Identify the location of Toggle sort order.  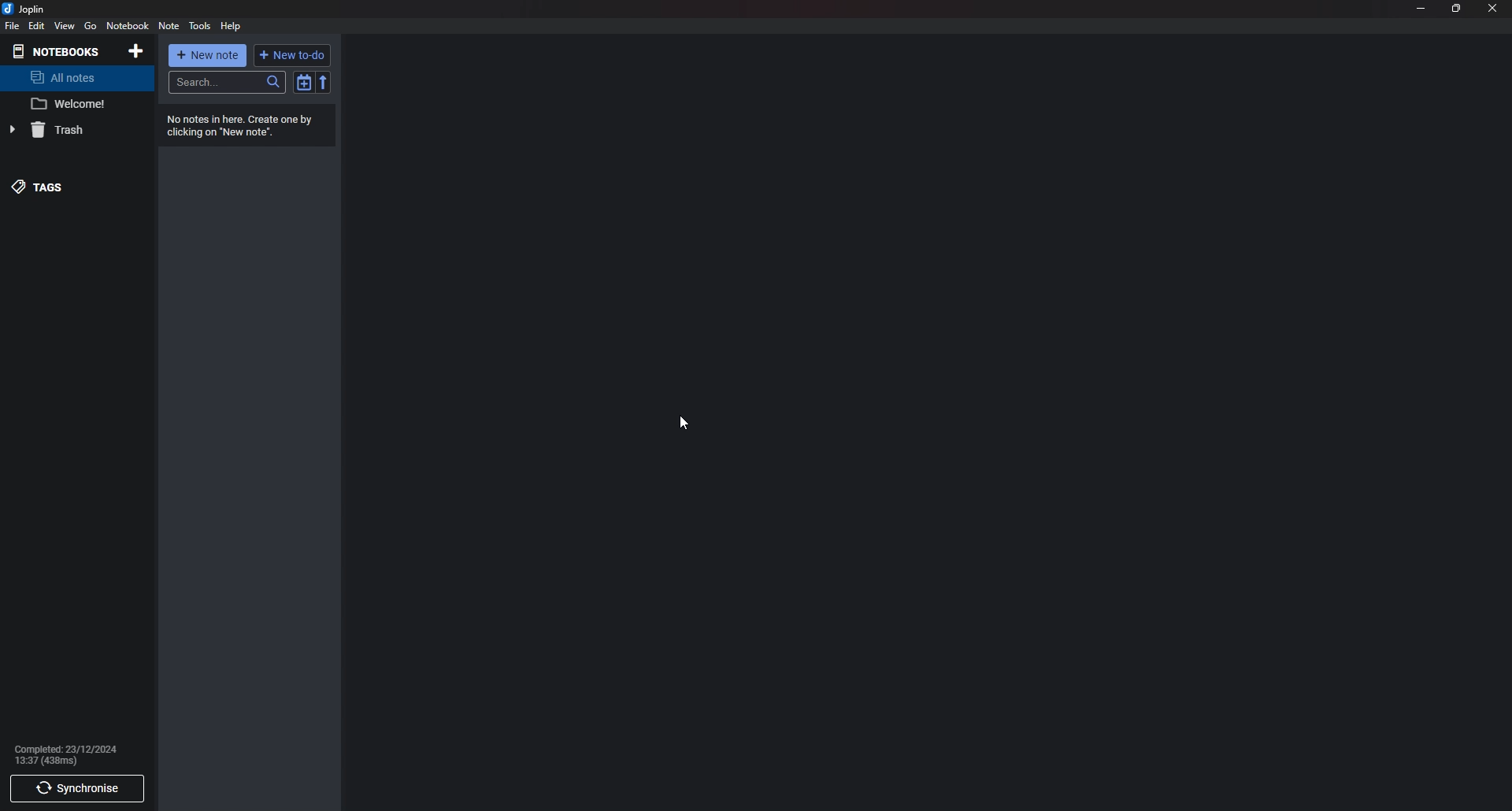
(305, 83).